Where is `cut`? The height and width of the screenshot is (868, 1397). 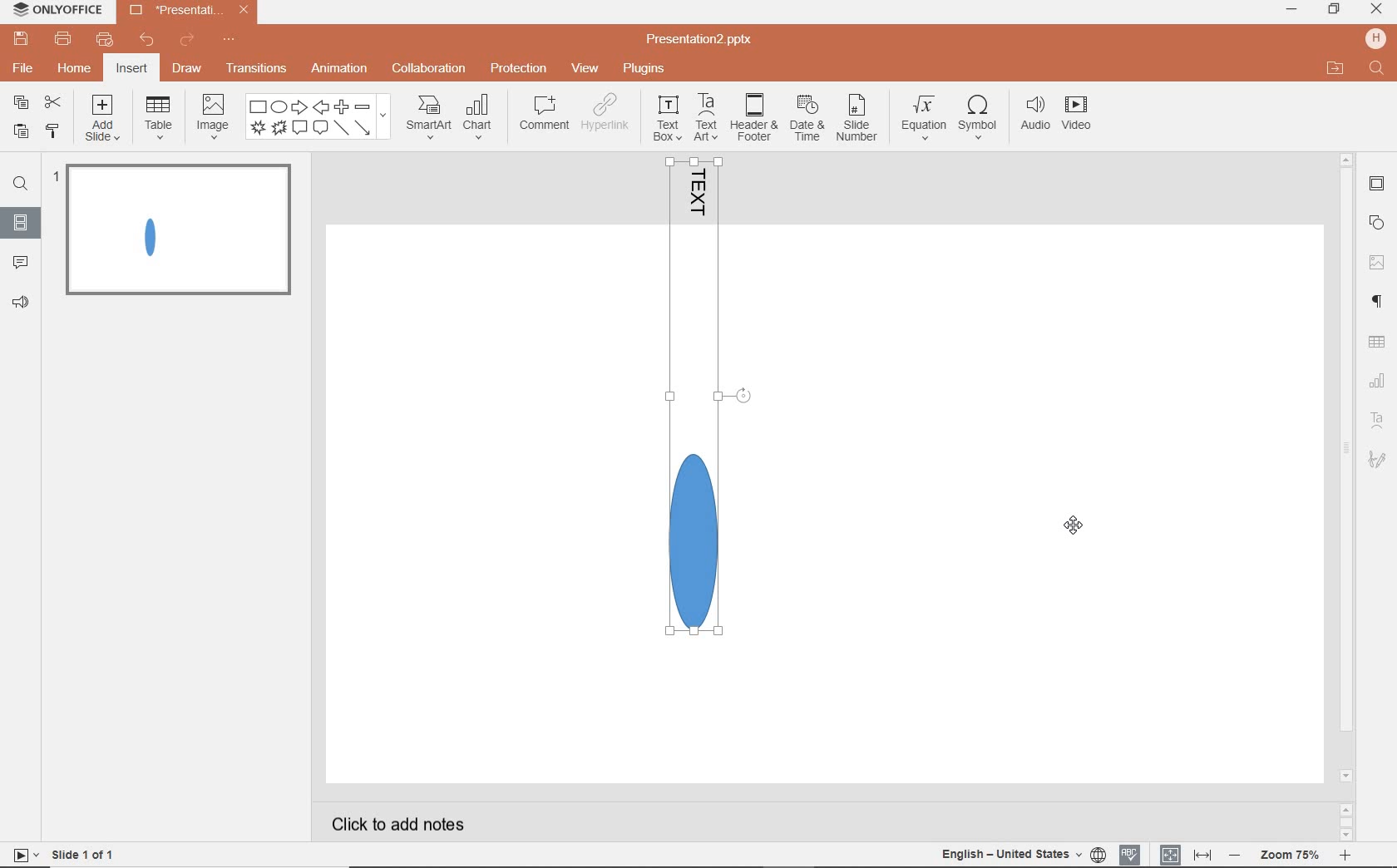
cut is located at coordinates (53, 104).